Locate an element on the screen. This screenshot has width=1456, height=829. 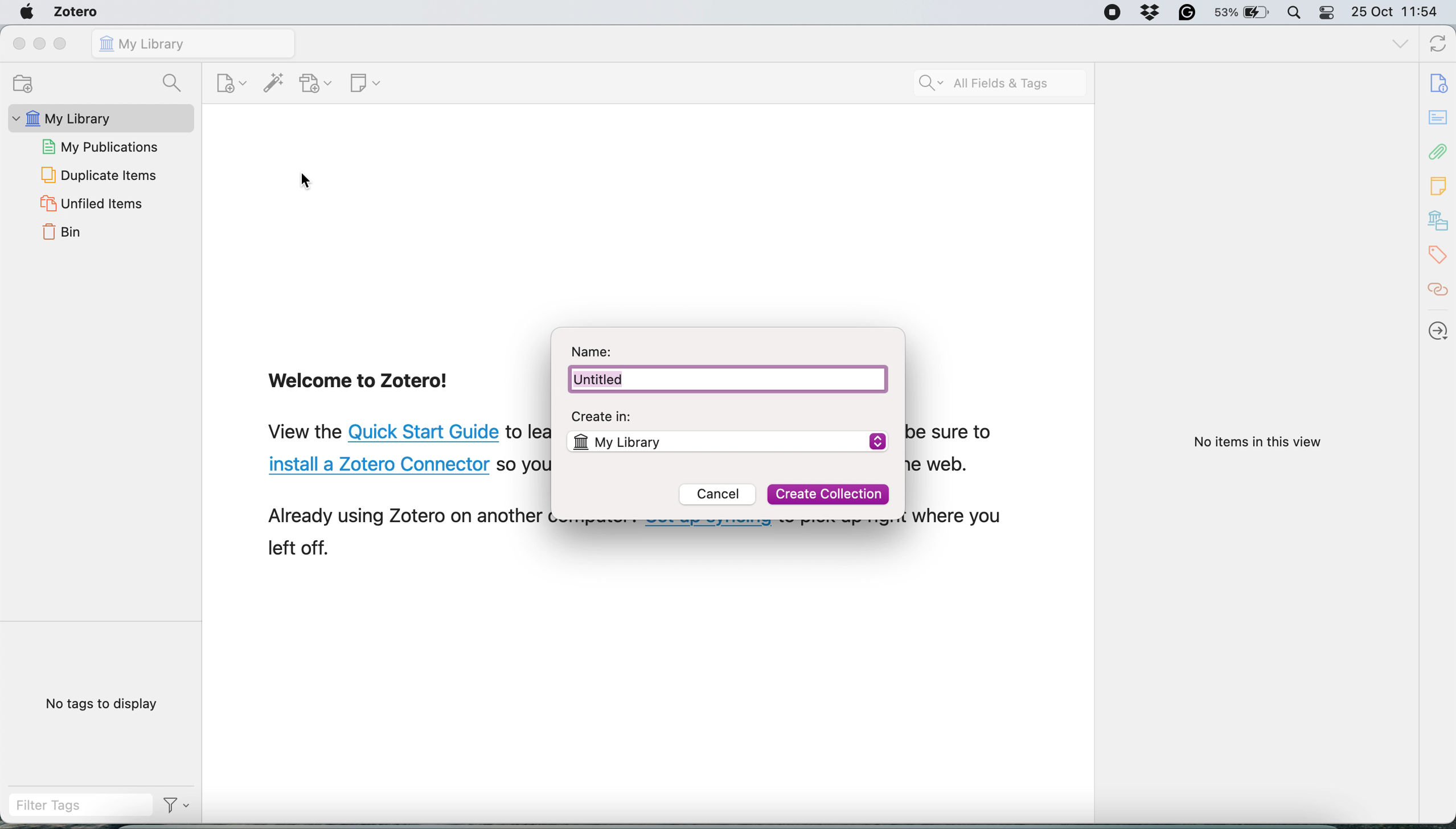
locate is located at coordinates (1439, 327).